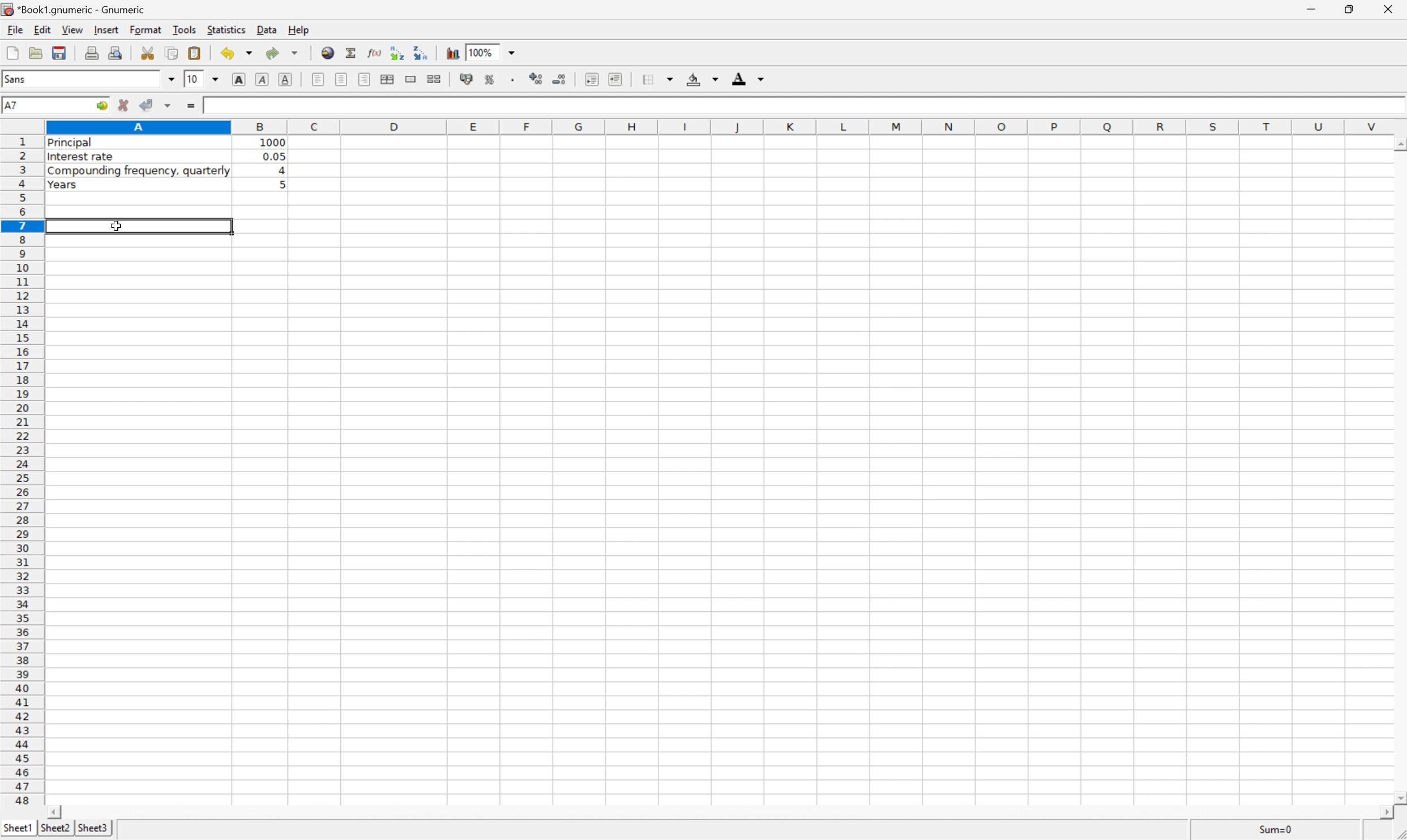 This screenshot has width=1407, height=840. I want to click on decrease number of decimals displayed, so click(561, 79).